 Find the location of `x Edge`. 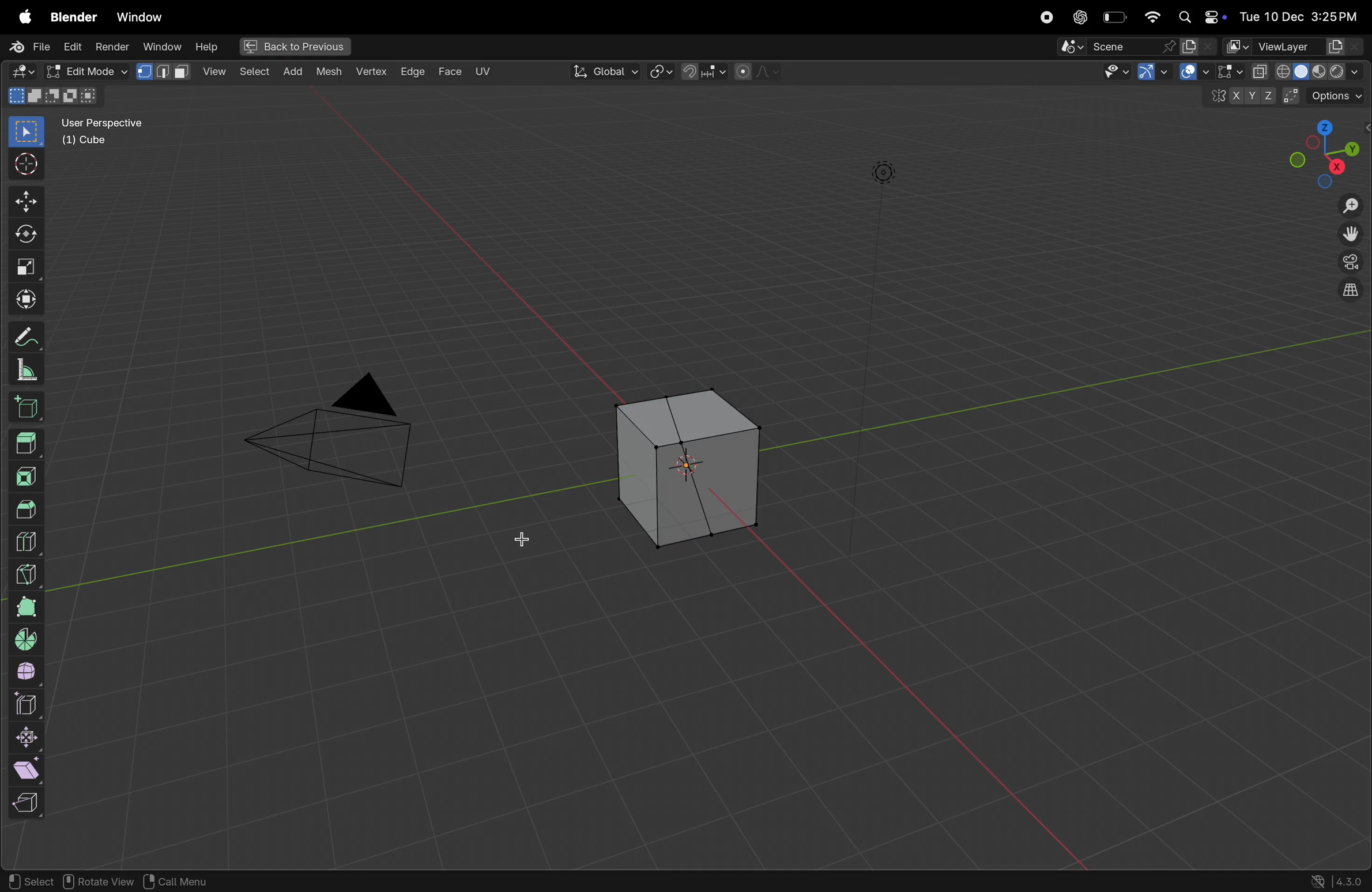

x Edge is located at coordinates (413, 70).